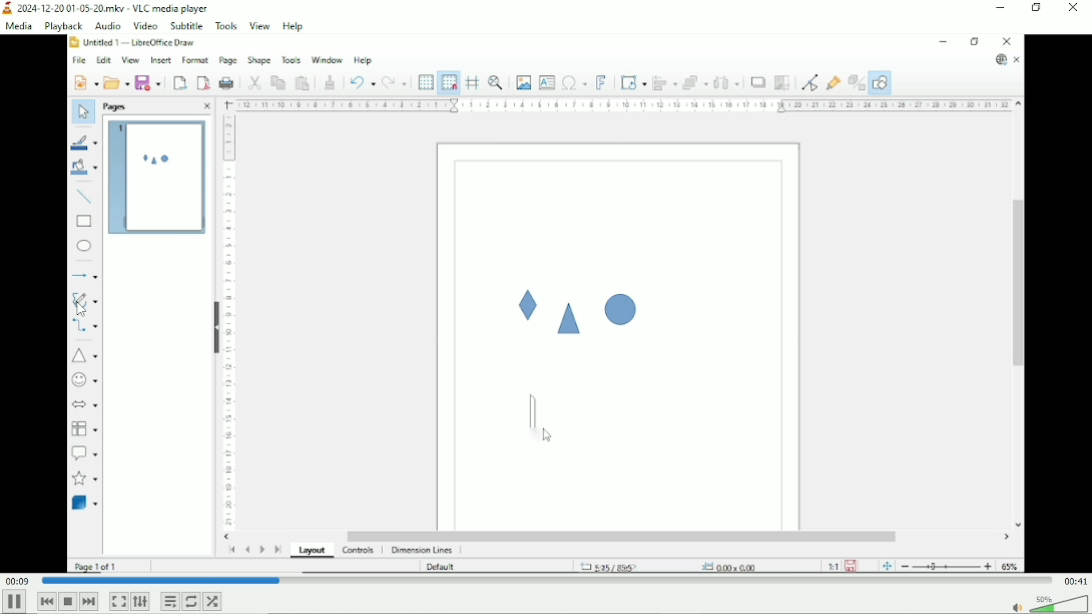 The height and width of the screenshot is (614, 1092). What do you see at coordinates (18, 27) in the screenshot?
I see `Media` at bounding box center [18, 27].